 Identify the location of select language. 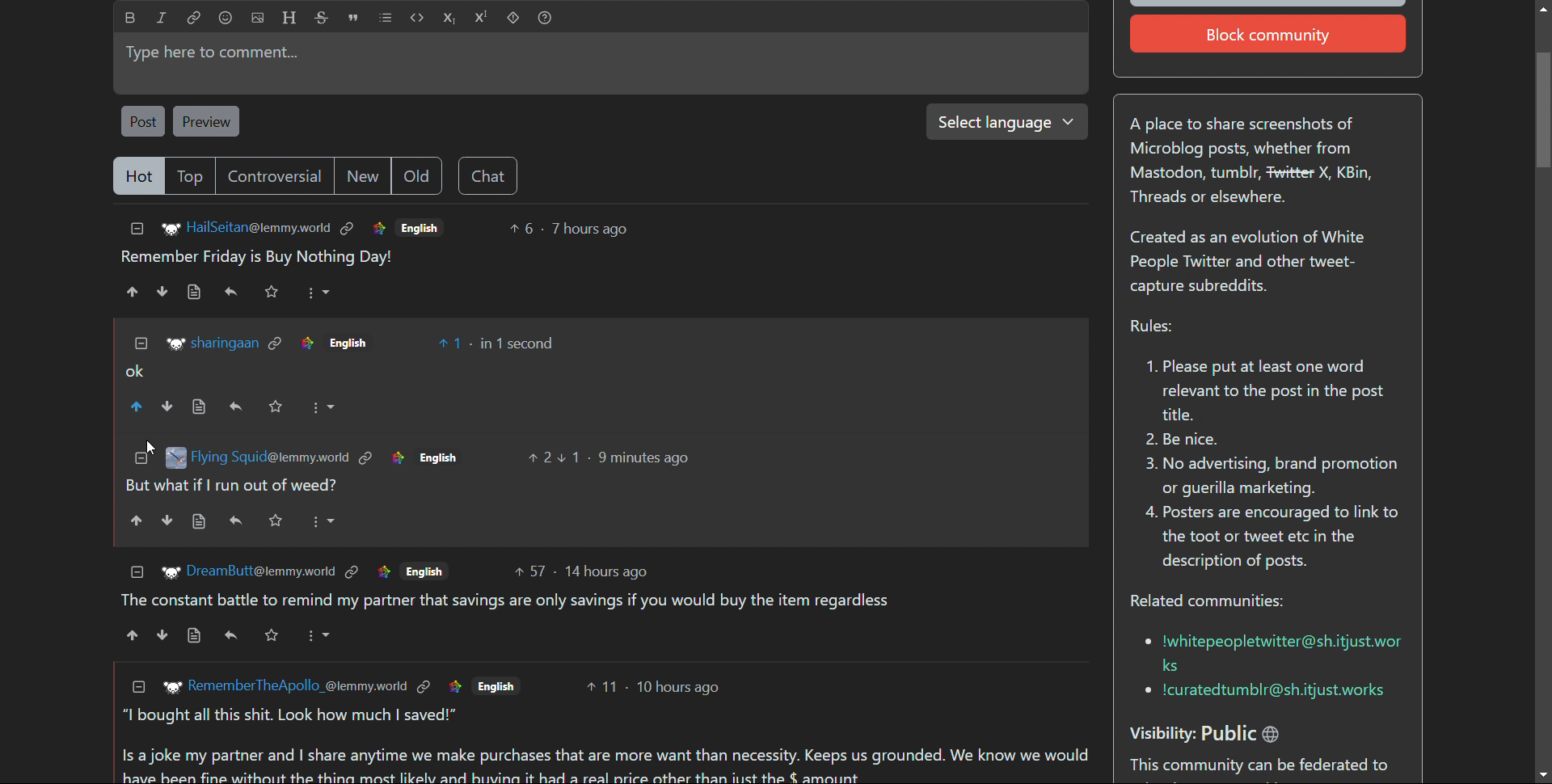
(1001, 121).